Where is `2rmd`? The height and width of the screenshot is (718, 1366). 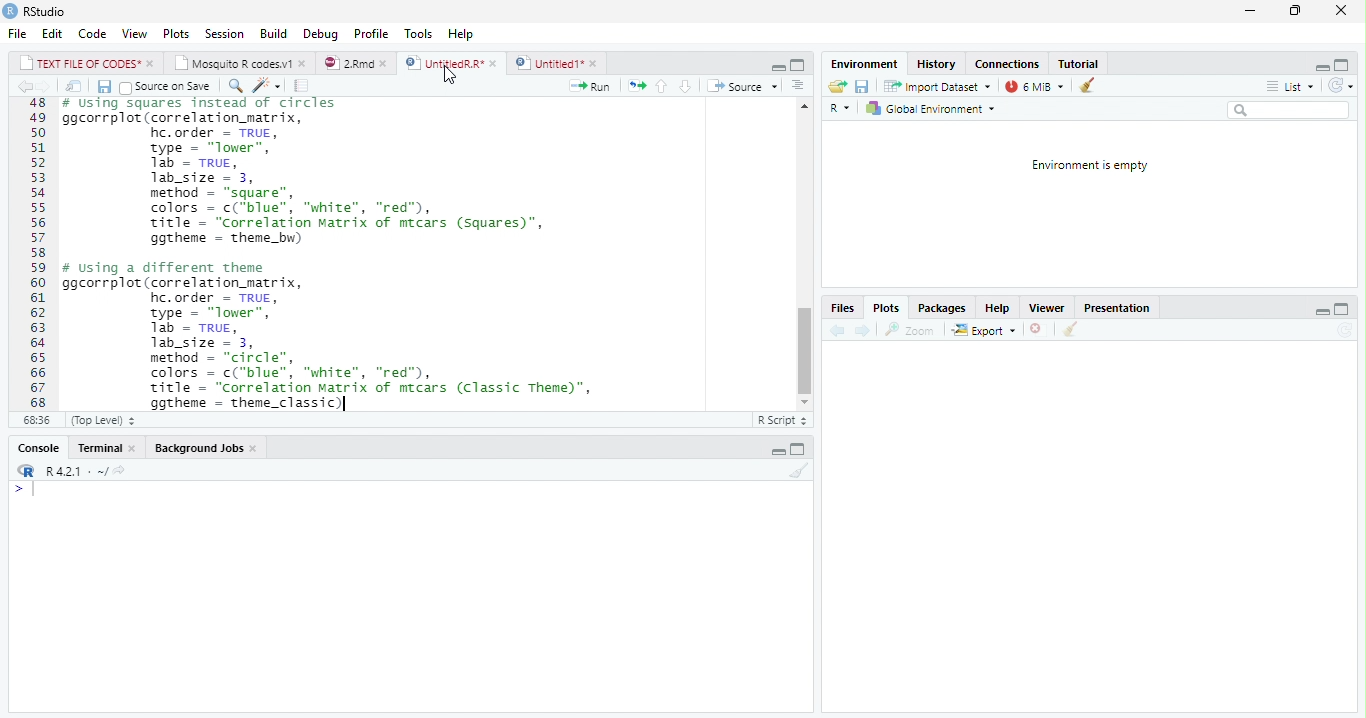
2rmd is located at coordinates (356, 62).